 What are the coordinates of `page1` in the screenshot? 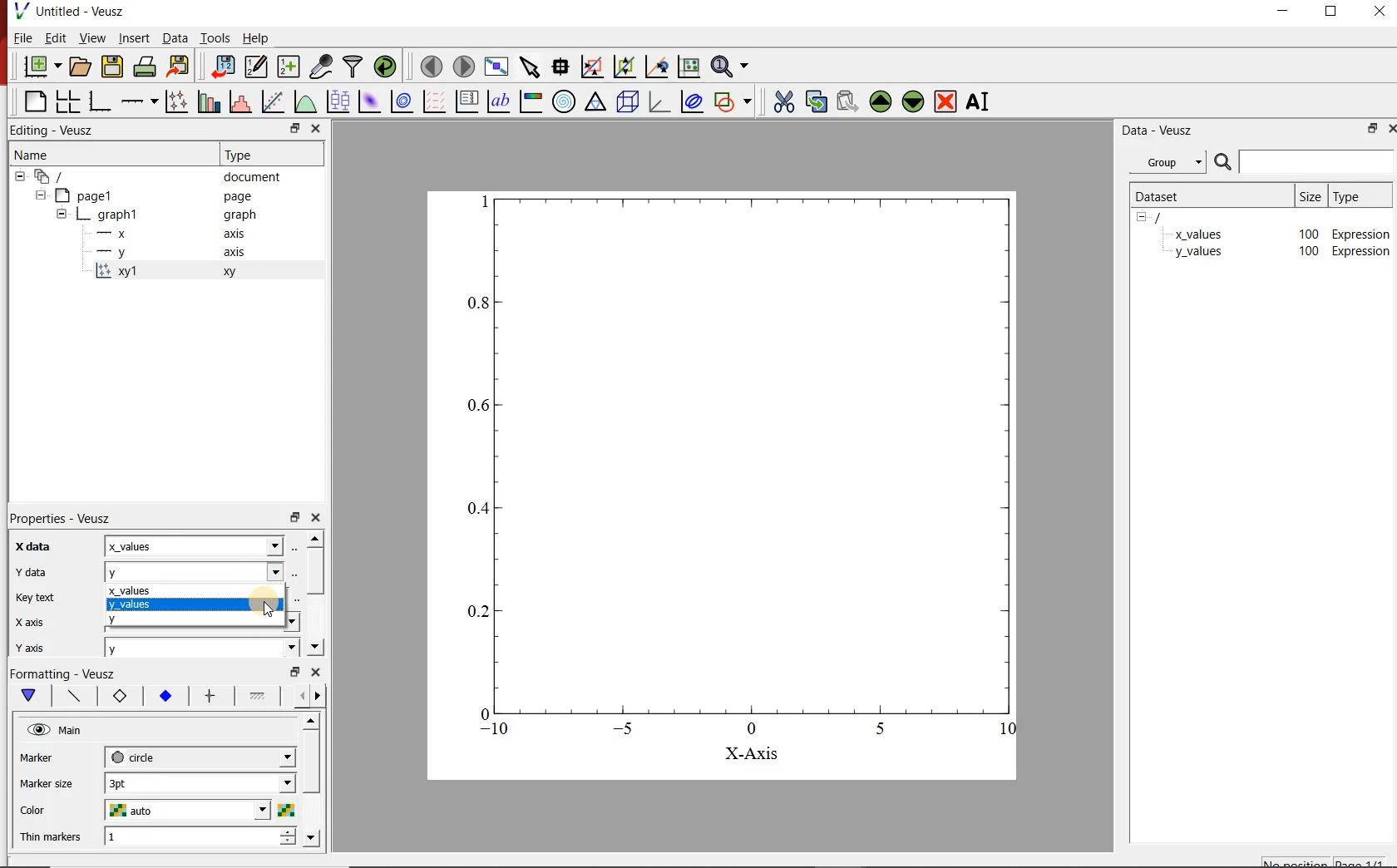 It's located at (91, 194).